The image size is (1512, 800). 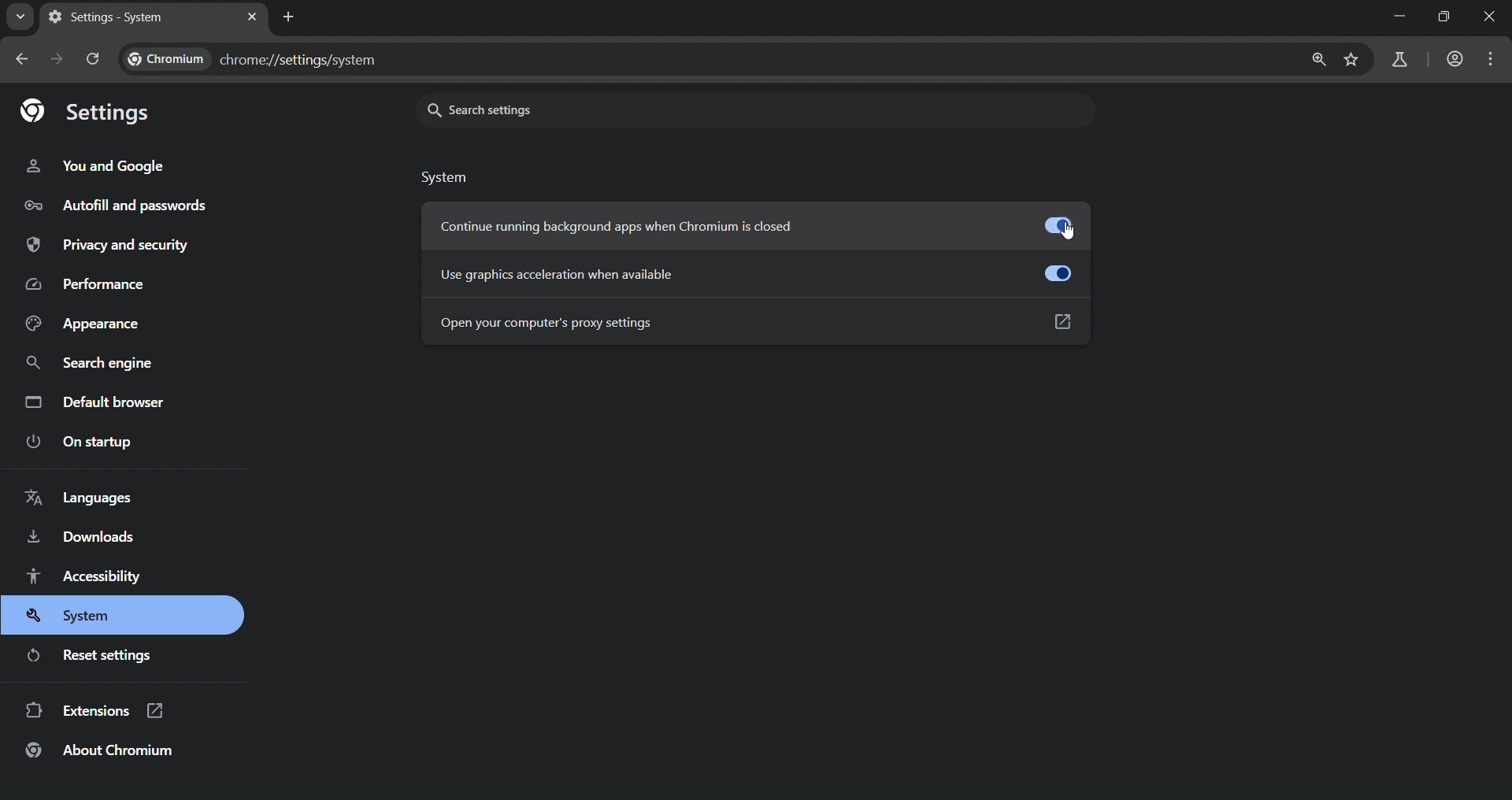 What do you see at coordinates (126, 20) in the screenshot?
I see `settings - system` at bounding box center [126, 20].